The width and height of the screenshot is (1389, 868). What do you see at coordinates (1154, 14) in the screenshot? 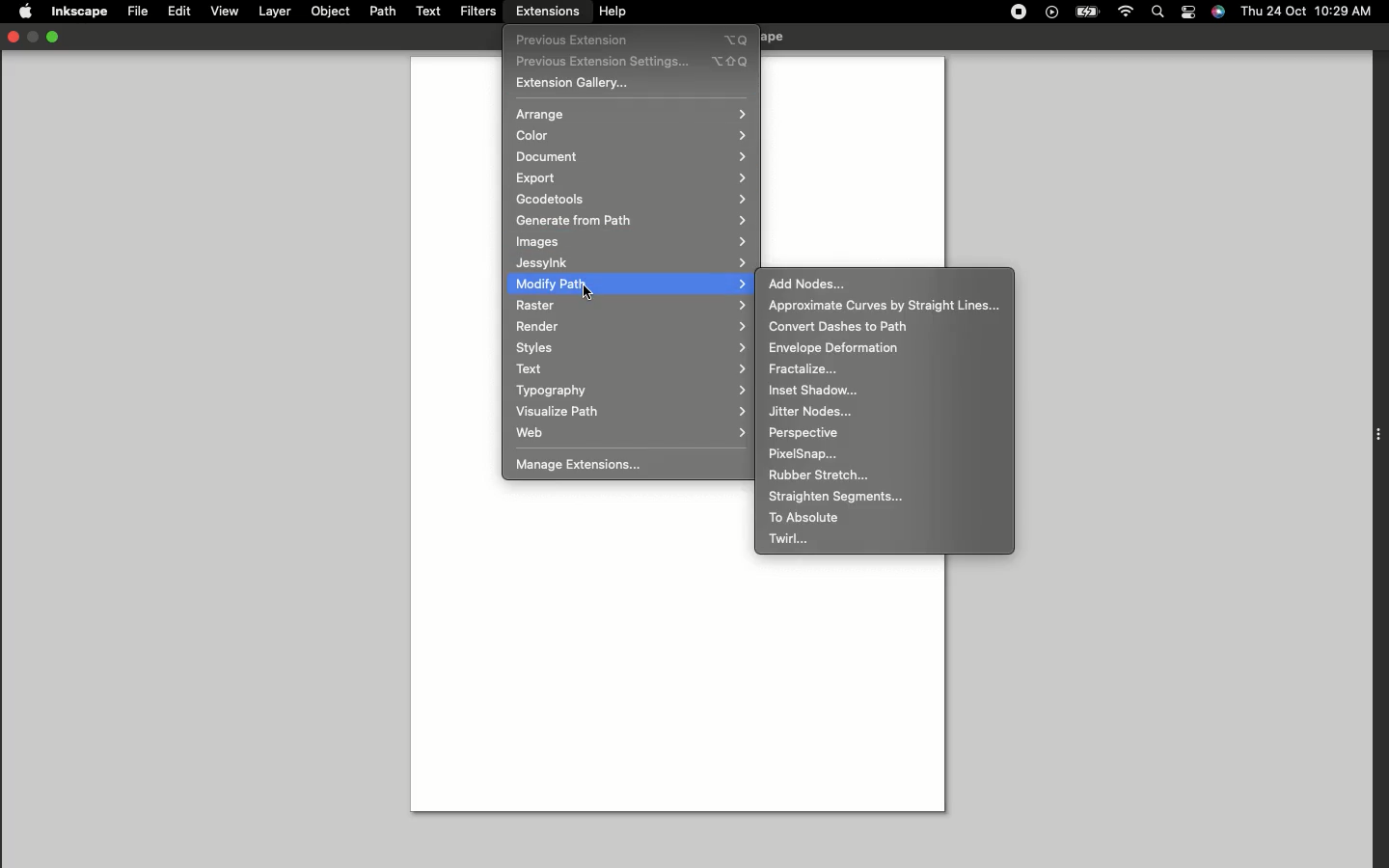
I see `Search` at bounding box center [1154, 14].